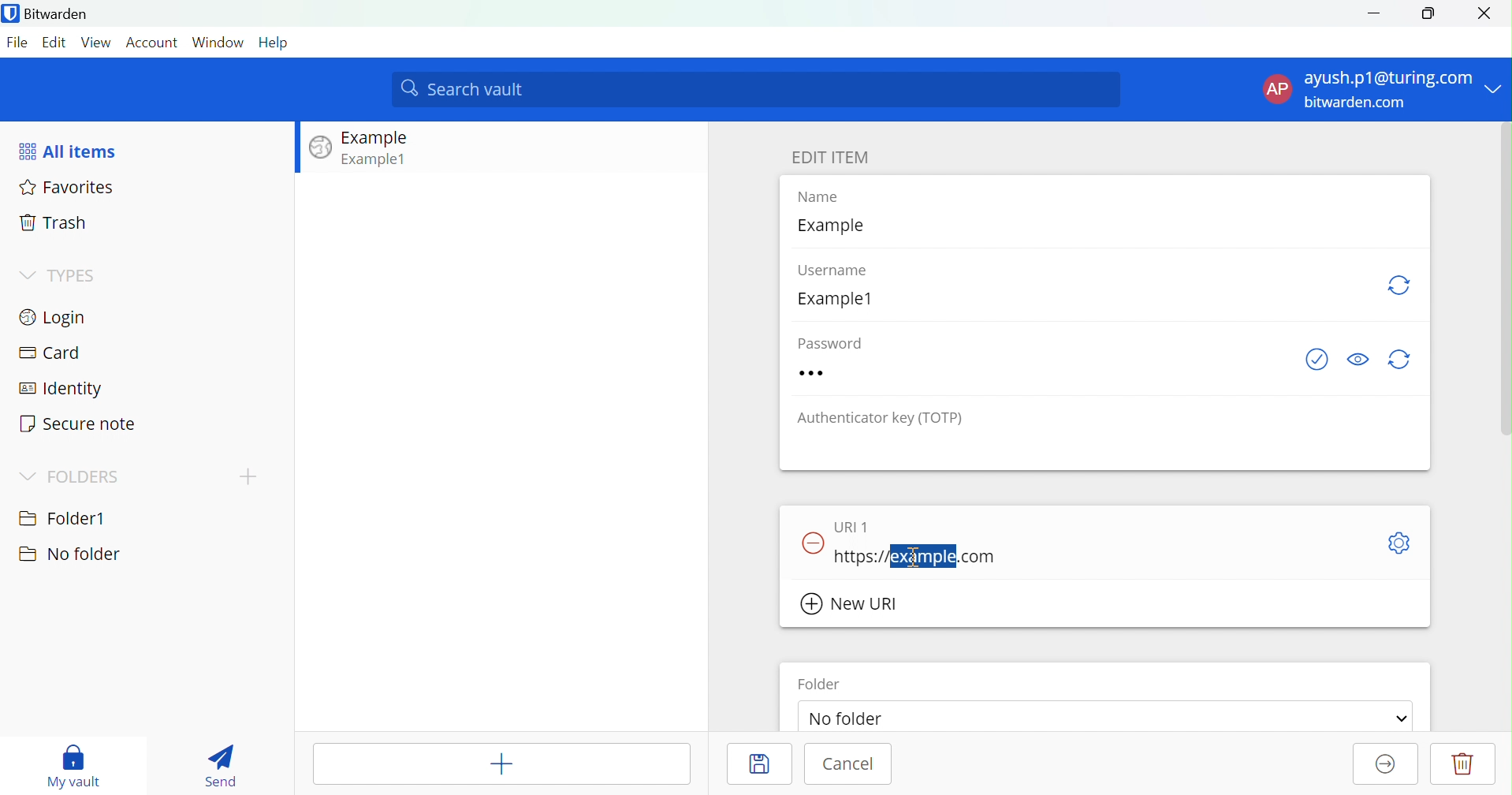 The height and width of the screenshot is (795, 1512). I want to click on Minimize, so click(1373, 12).